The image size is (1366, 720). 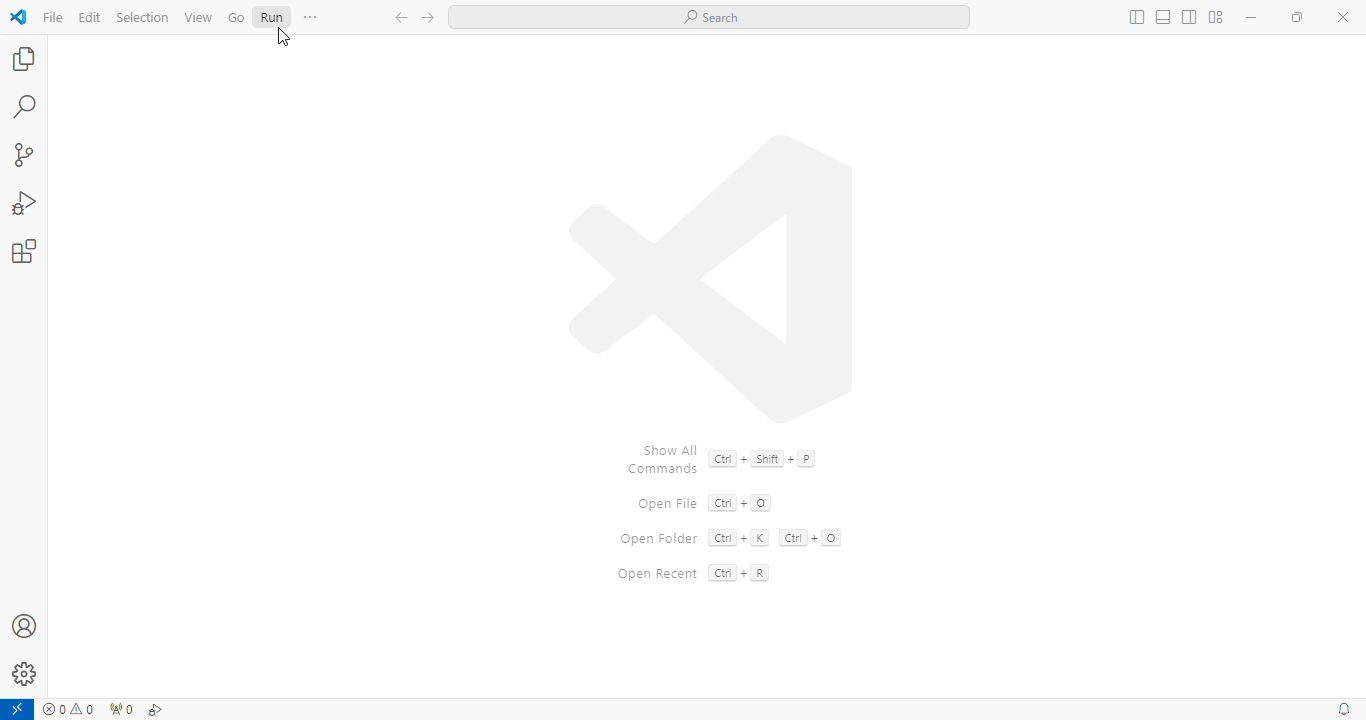 I want to click on selection, so click(x=143, y=17).